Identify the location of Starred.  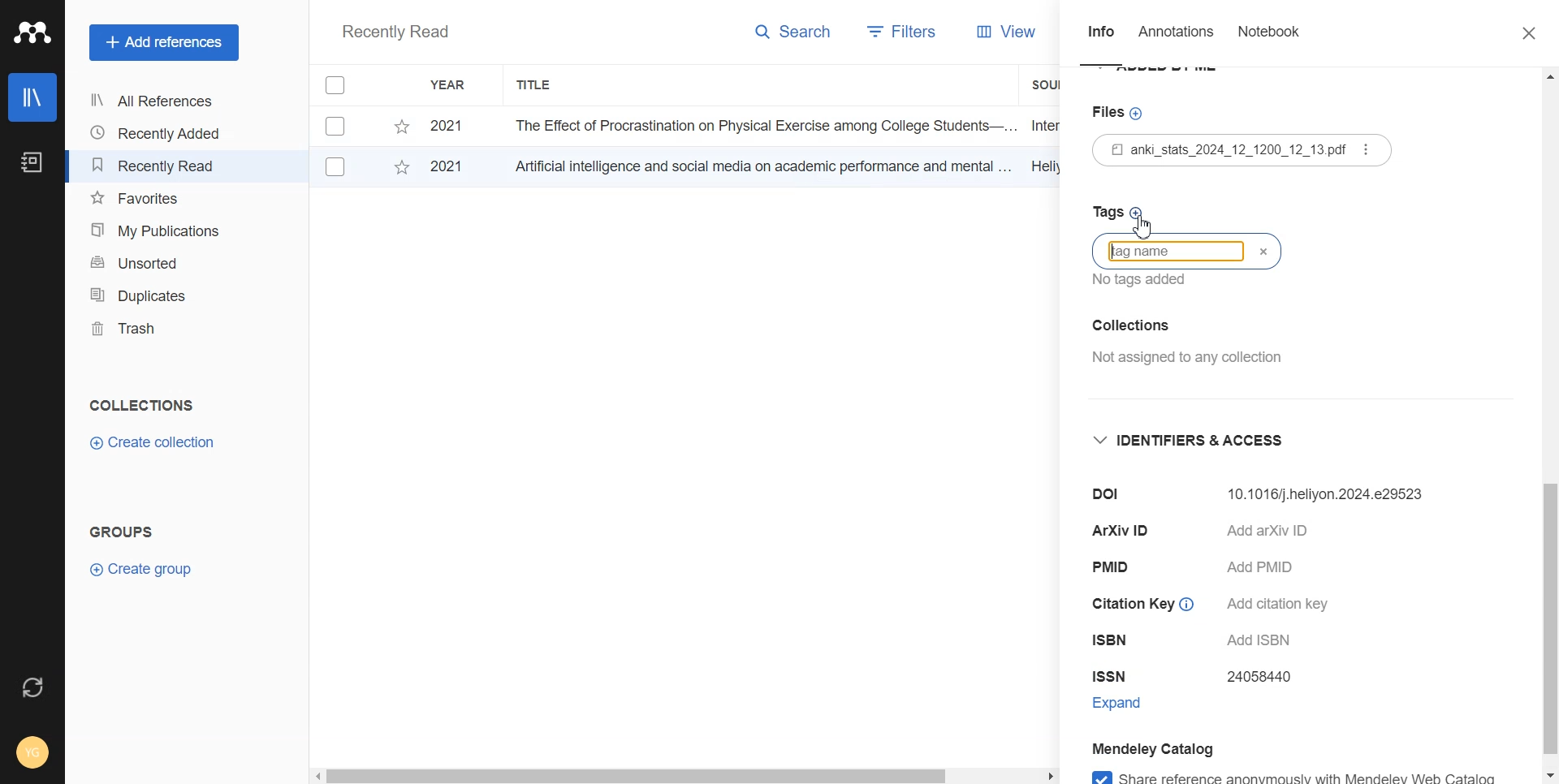
(401, 127).